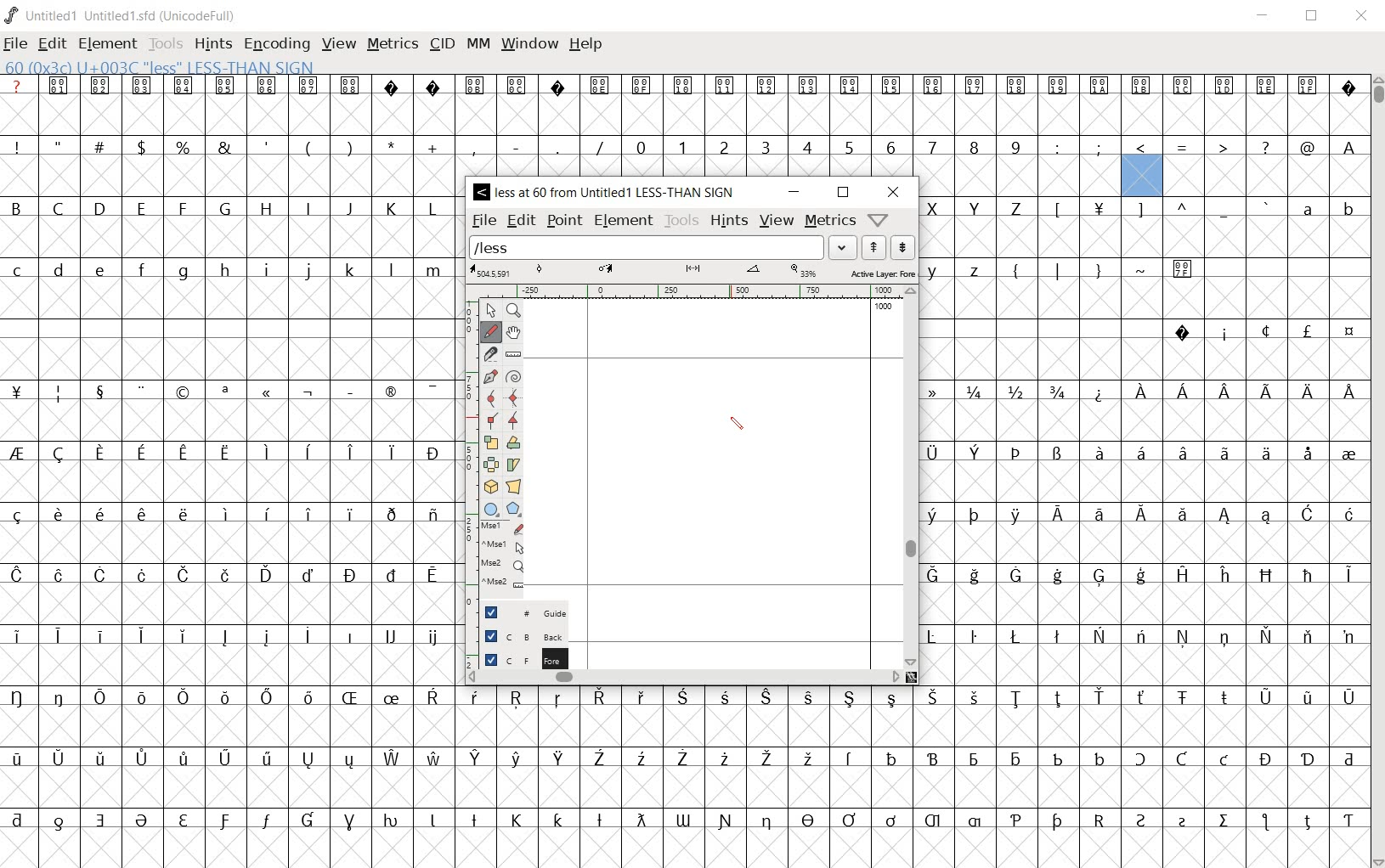  Describe the element at coordinates (229, 267) in the screenshot. I see `small letter c - z` at that location.